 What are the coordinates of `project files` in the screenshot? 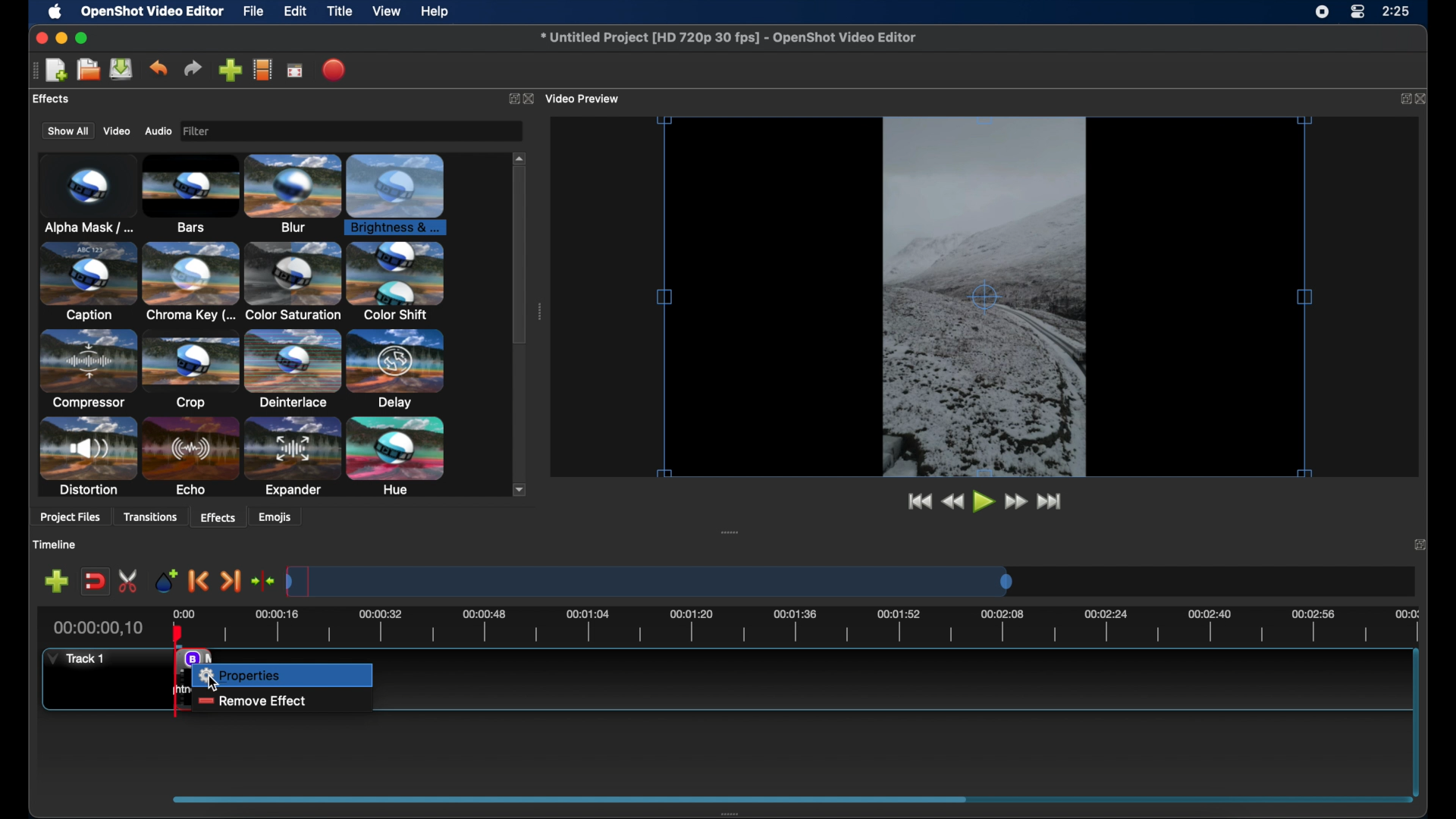 It's located at (70, 519).